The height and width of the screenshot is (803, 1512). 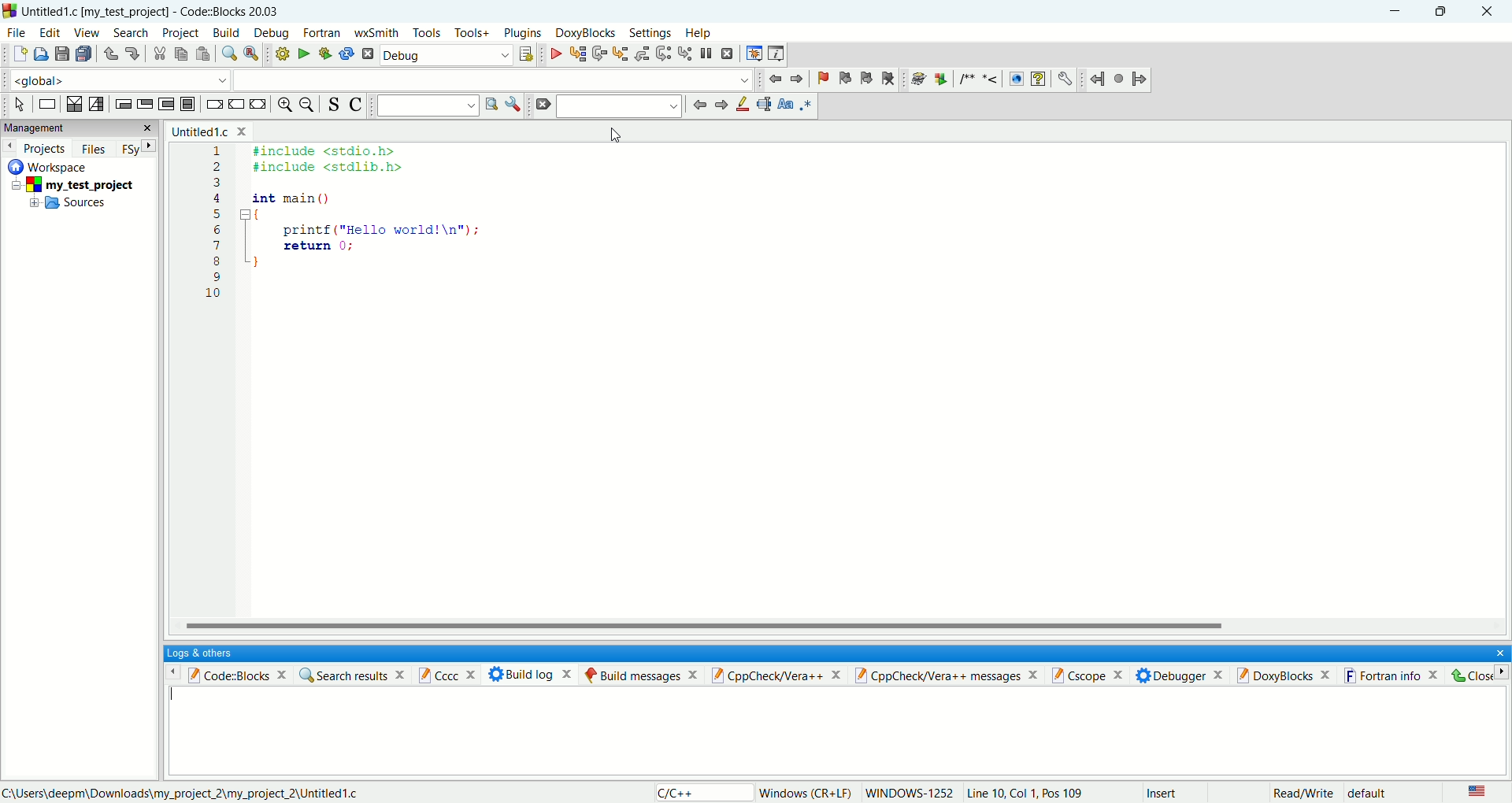 What do you see at coordinates (54, 165) in the screenshot?
I see `workspace` at bounding box center [54, 165].